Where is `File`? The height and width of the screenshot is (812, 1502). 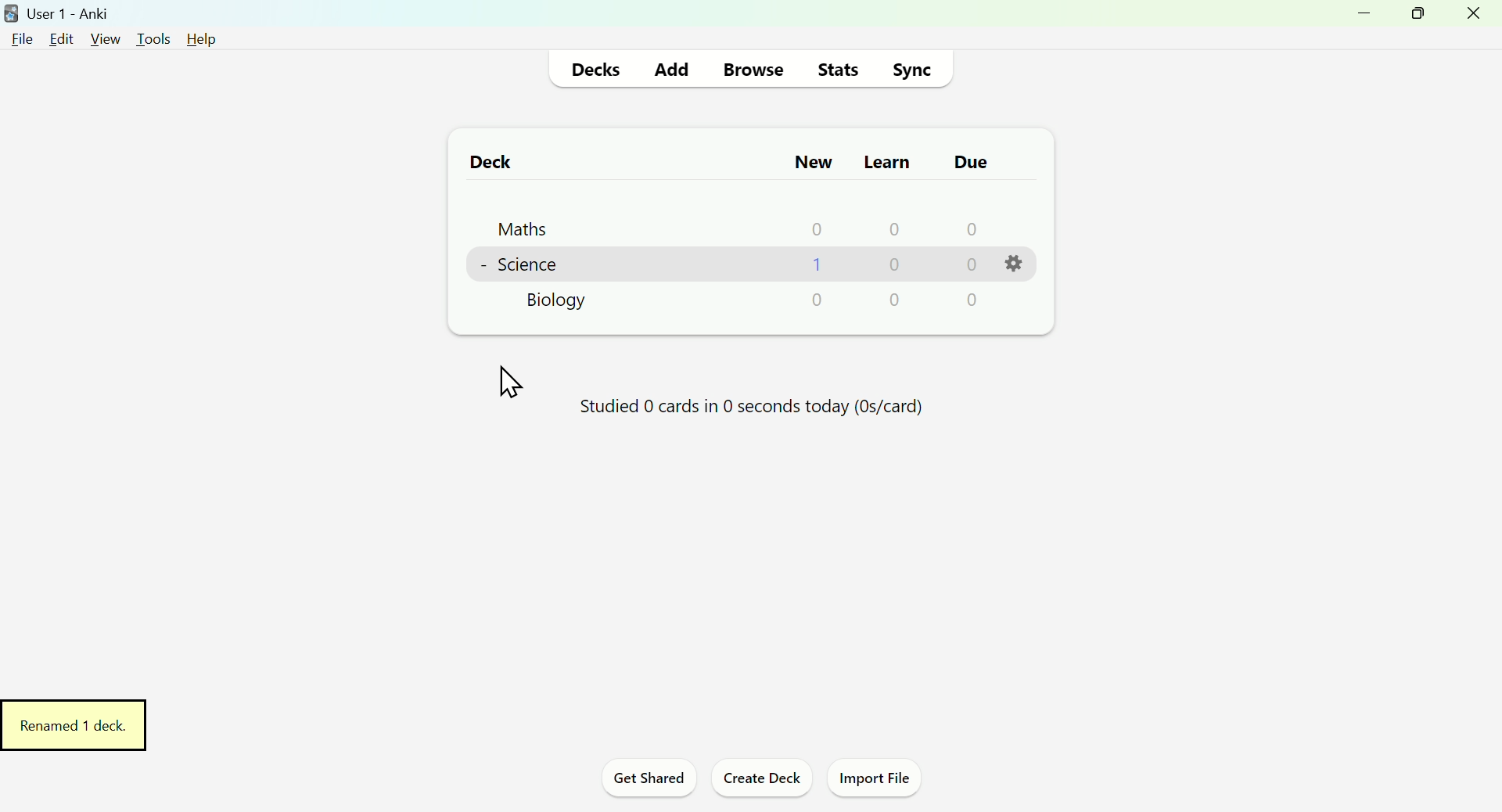
File is located at coordinates (23, 38).